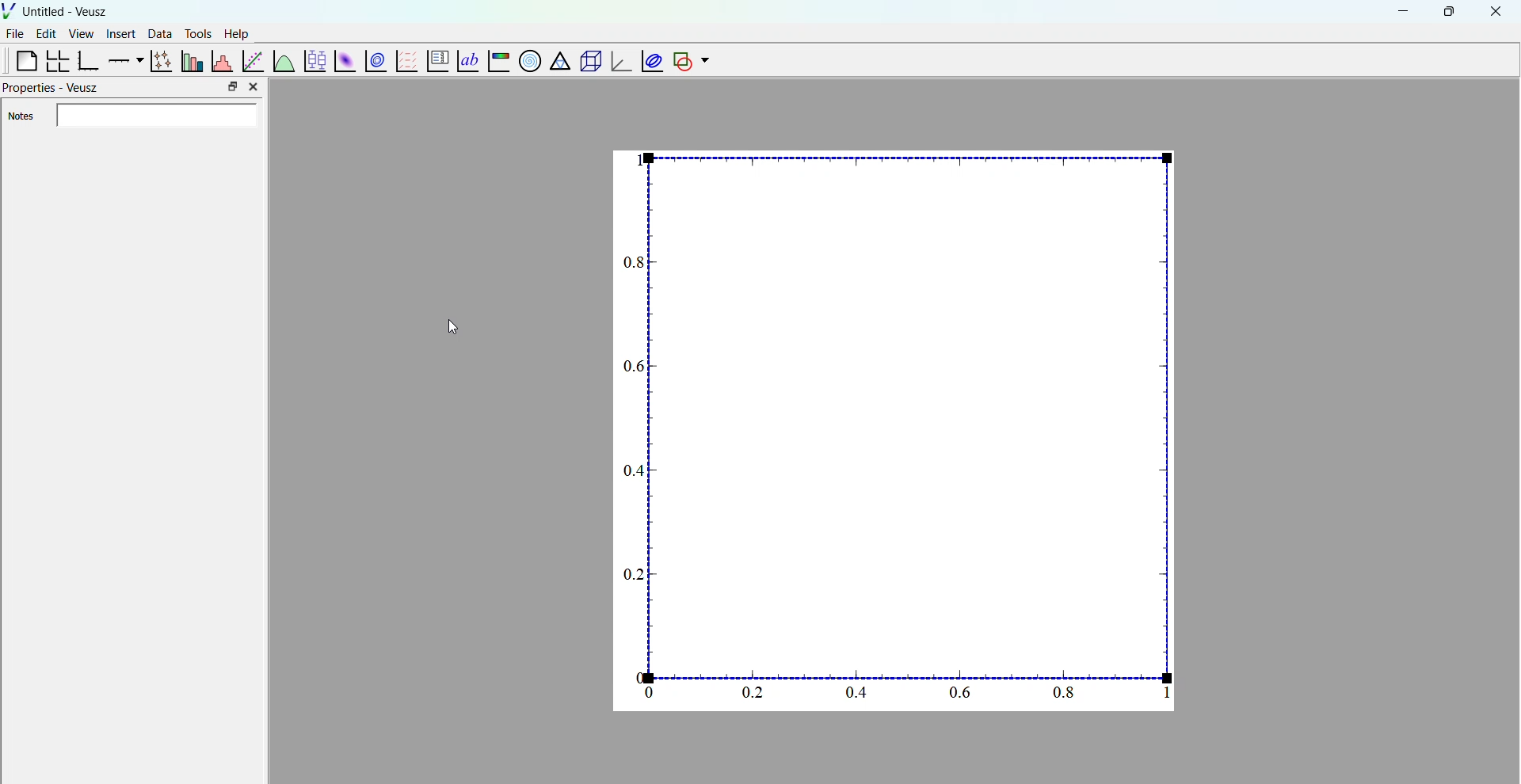 This screenshot has width=1521, height=784. I want to click on close property bar, so click(255, 86).